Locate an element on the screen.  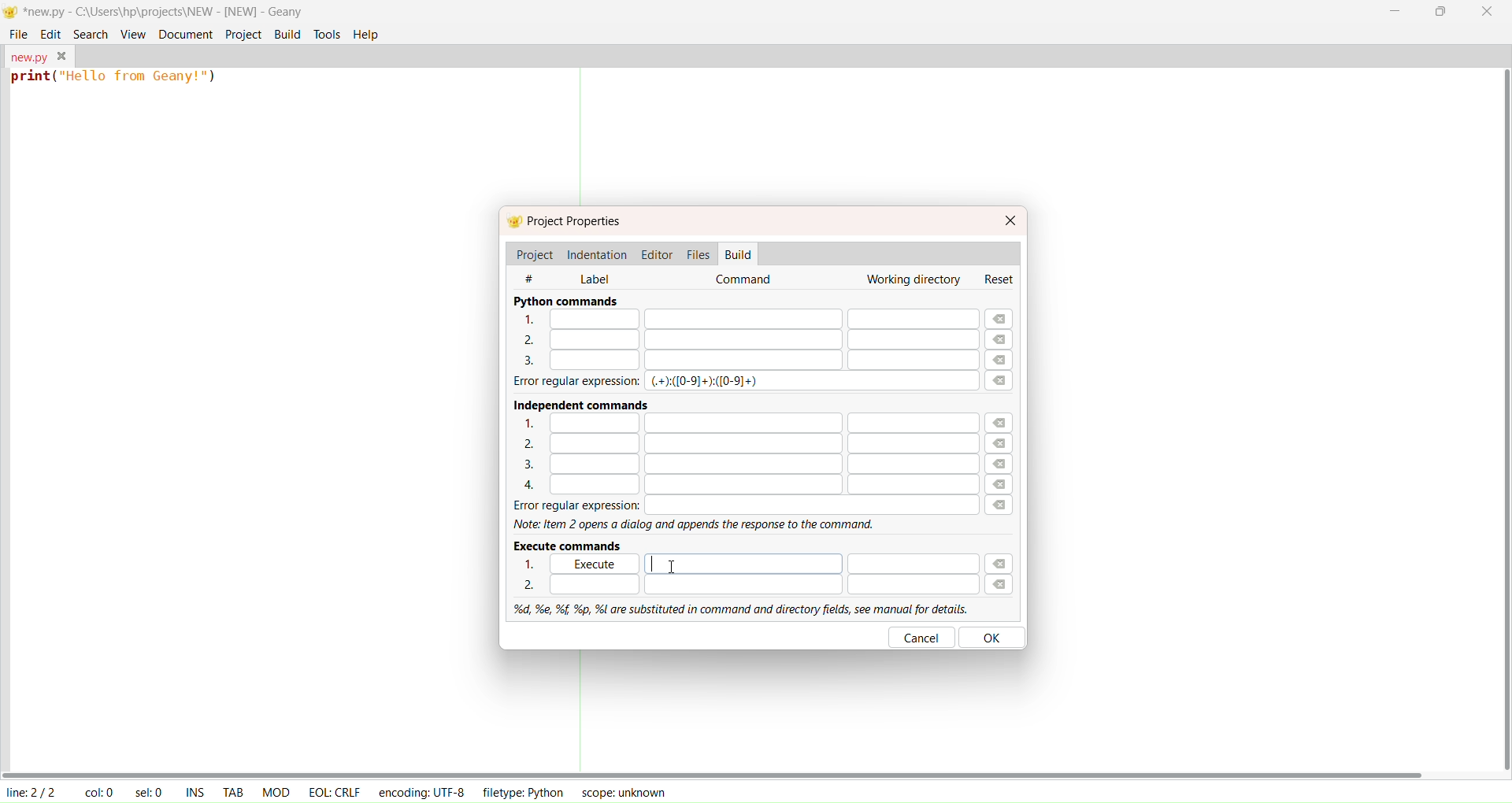
2. is located at coordinates (743, 584).